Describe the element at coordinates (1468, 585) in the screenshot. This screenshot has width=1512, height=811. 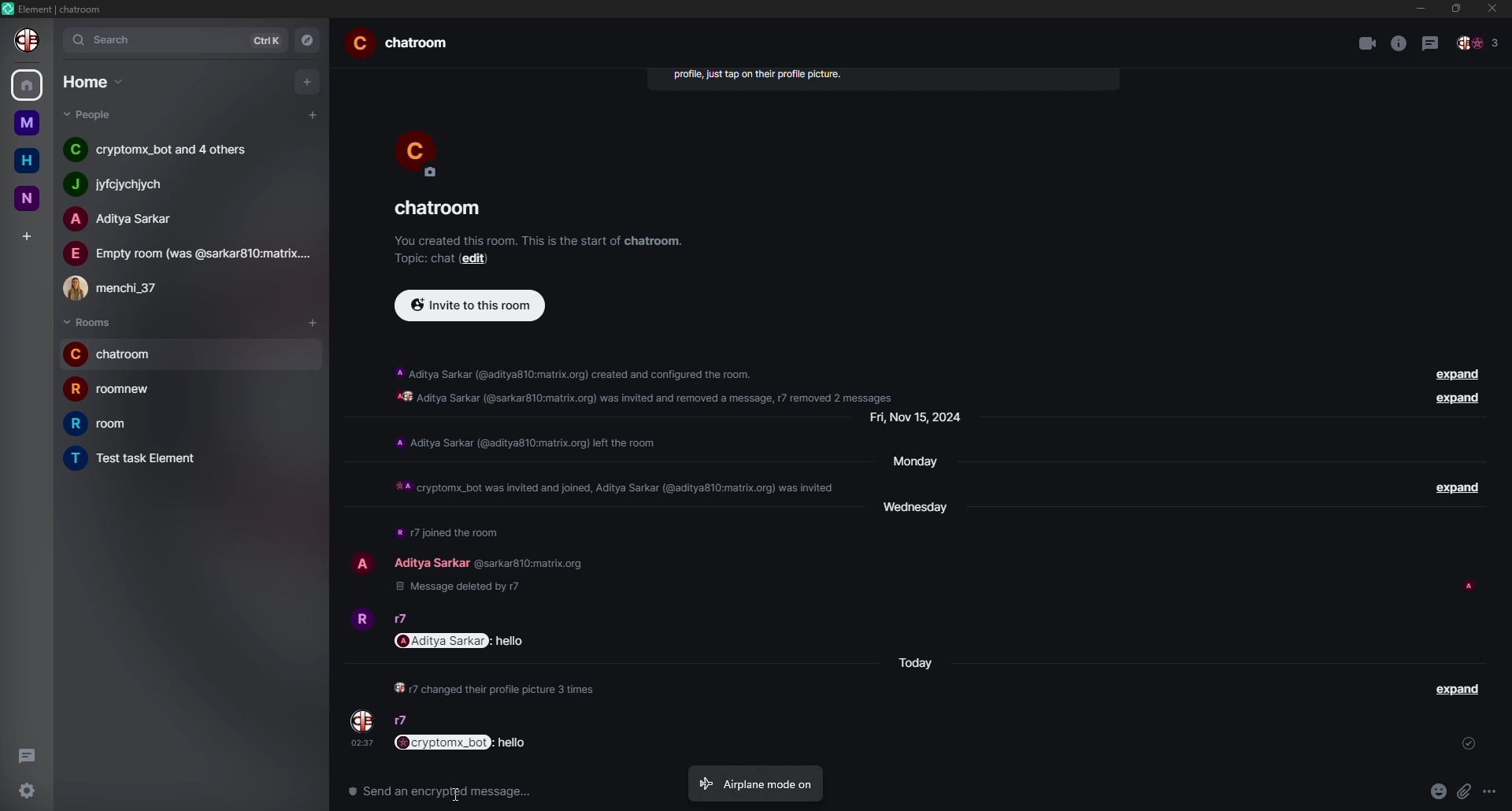
I see `seen` at that location.